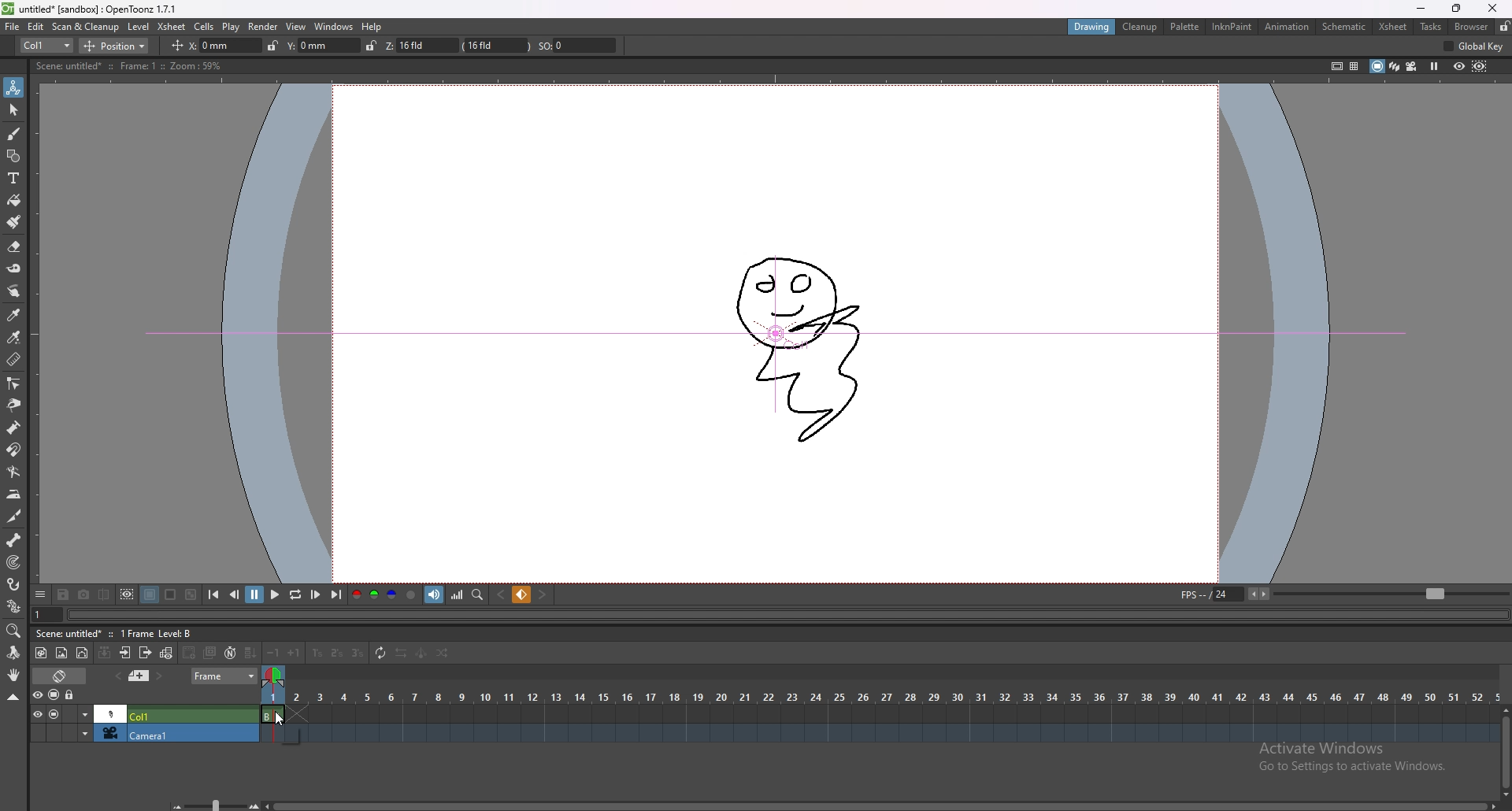 The width and height of the screenshot is (1512, 811). Describe the element at coordinates (13, 156) in the screenshot. I see `shapes` at that location.